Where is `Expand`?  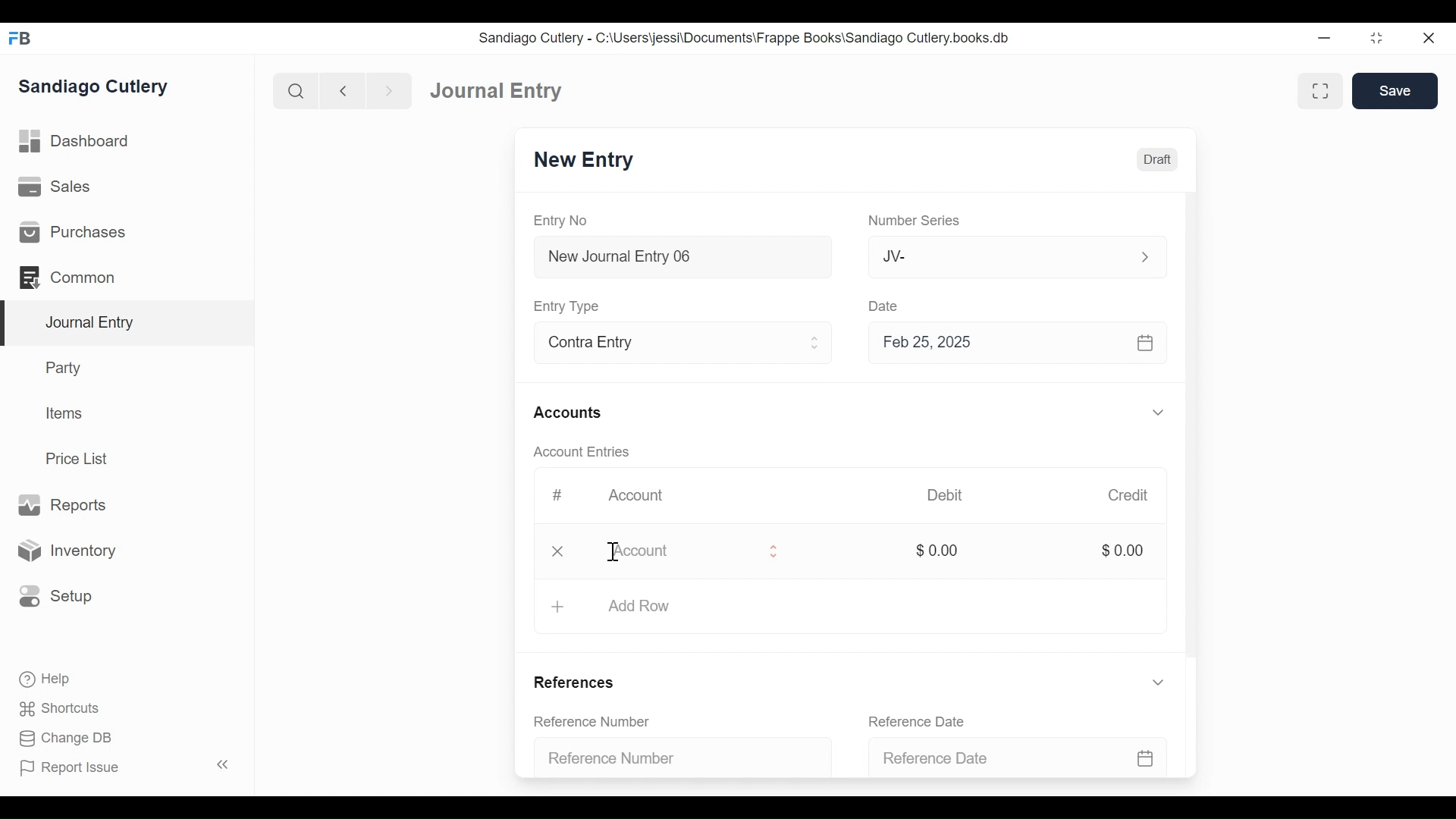
Expand is located at coordinates (776, 551).